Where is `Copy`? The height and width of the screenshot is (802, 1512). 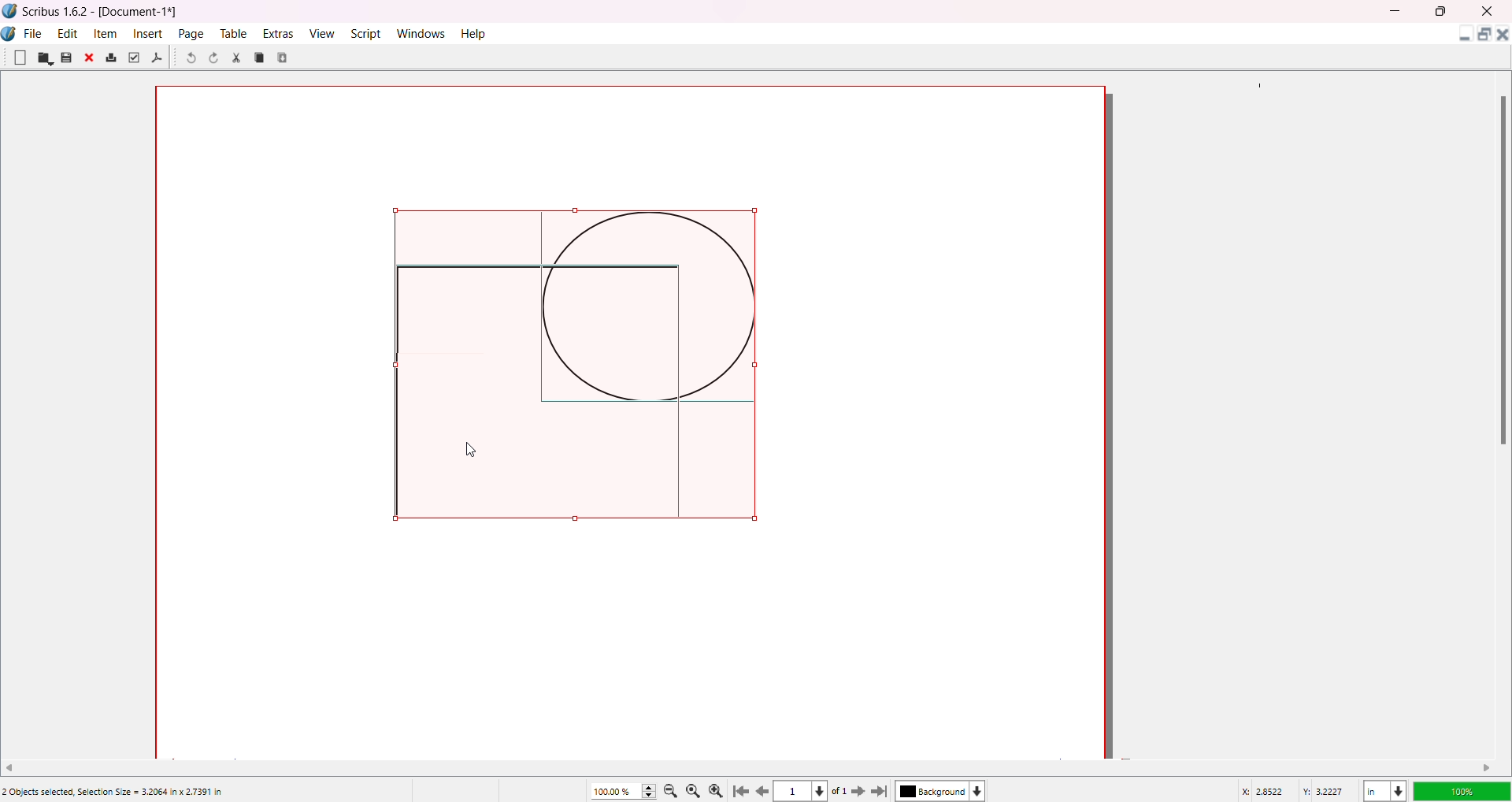 Copy is located at coordinates (260, 57).